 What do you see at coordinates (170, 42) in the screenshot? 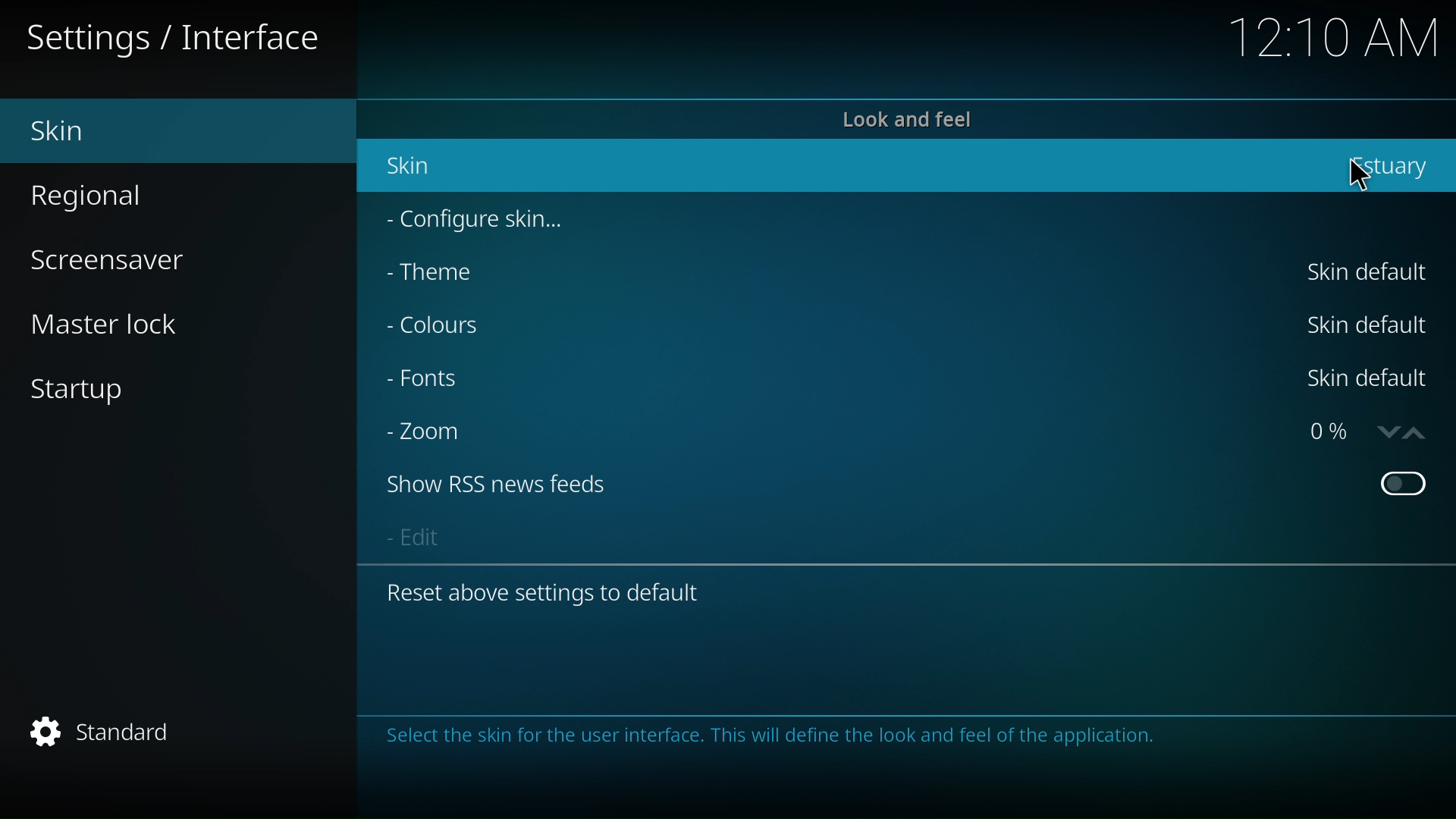
I see `Settings / Interface` at bounding box center [170, 42].